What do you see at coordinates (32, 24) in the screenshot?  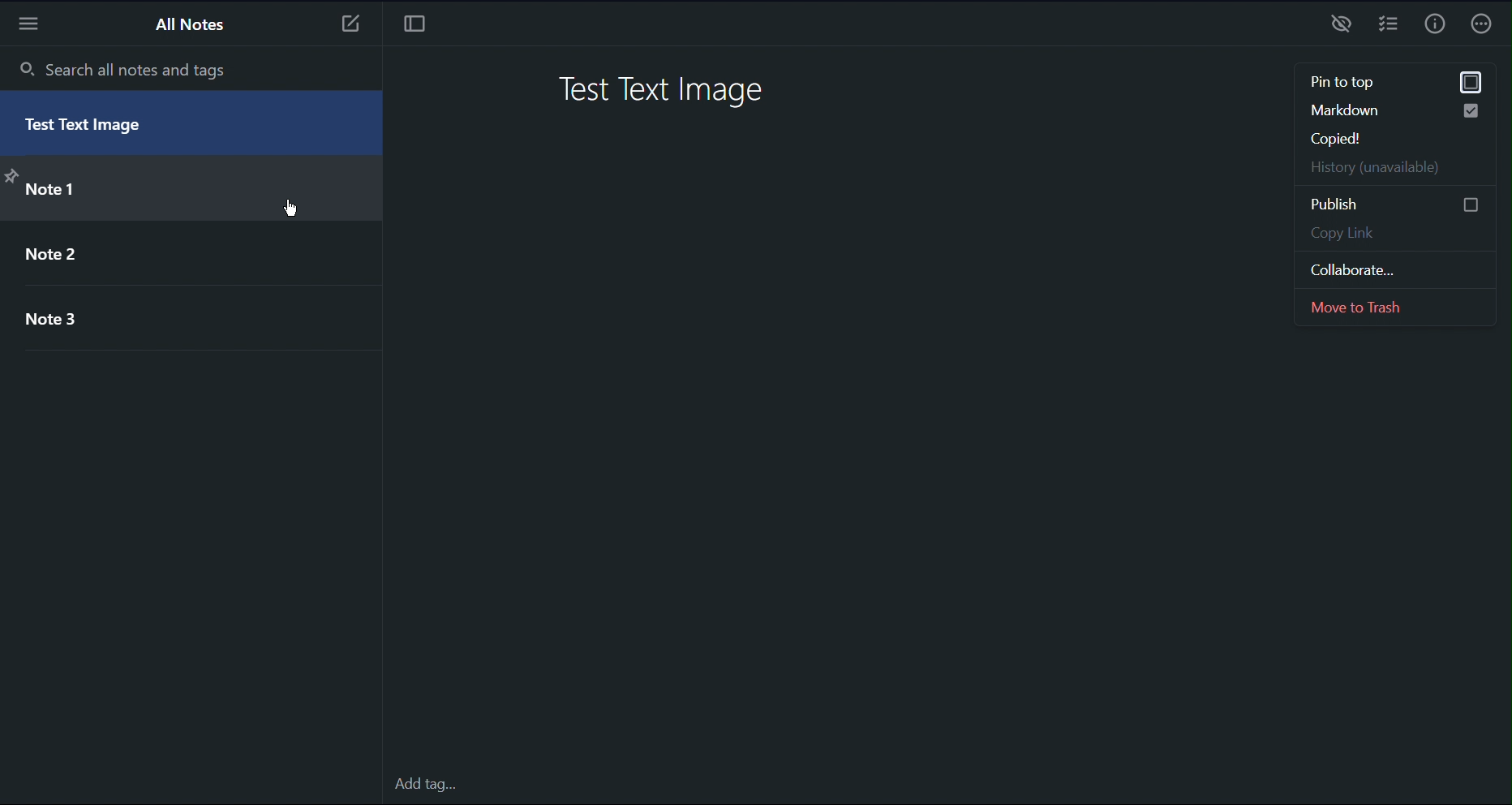 I see `More` at bounding box center [32, 24].